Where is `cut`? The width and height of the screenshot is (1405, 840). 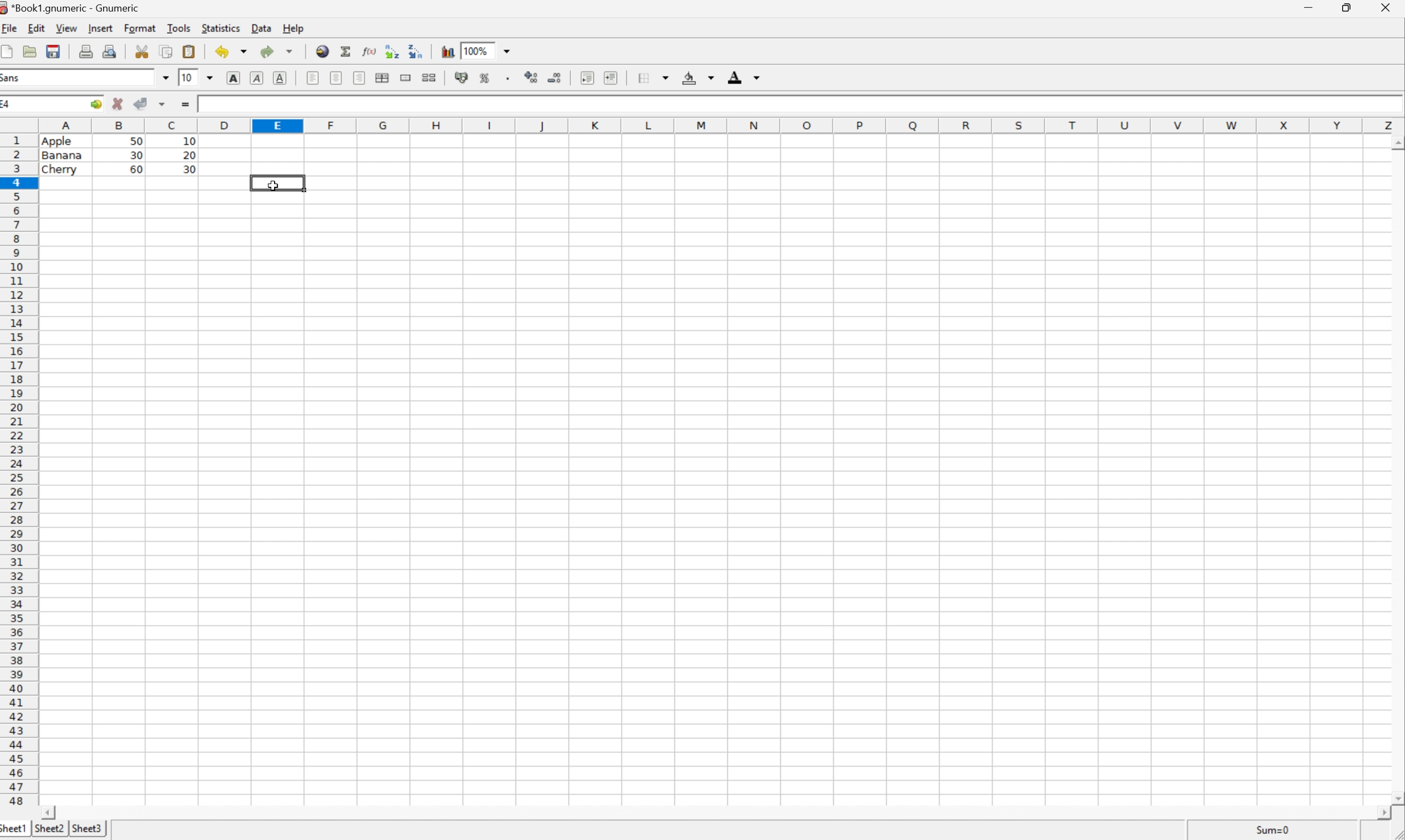 cut is located at coordinates (142, 50).